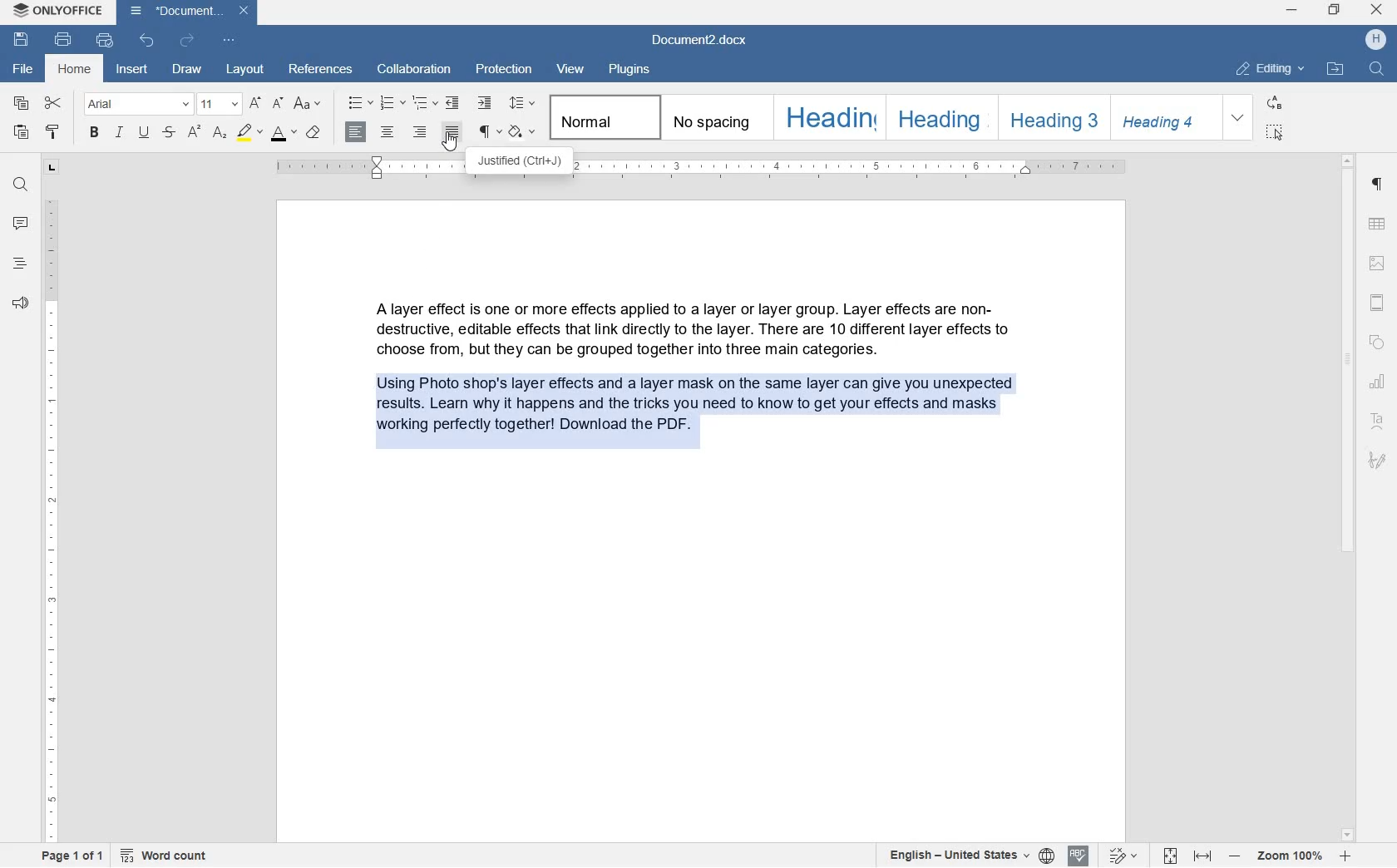 This screenshot has width=1397, height=868. Describe the element at coordinates (21, 304) in the screenshot. I see `FEEDBACK & SUPPORT` at that location.